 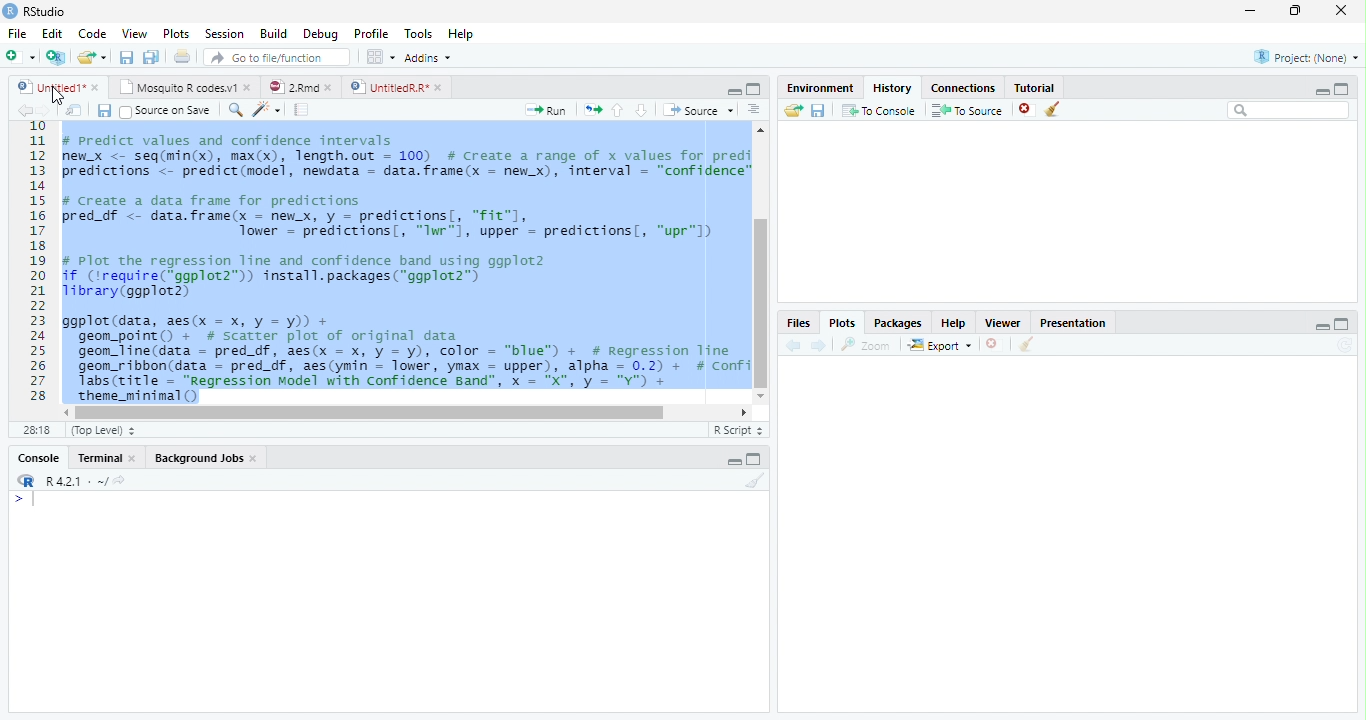 I want to click on Show in new window, so click(x=74, y=111).